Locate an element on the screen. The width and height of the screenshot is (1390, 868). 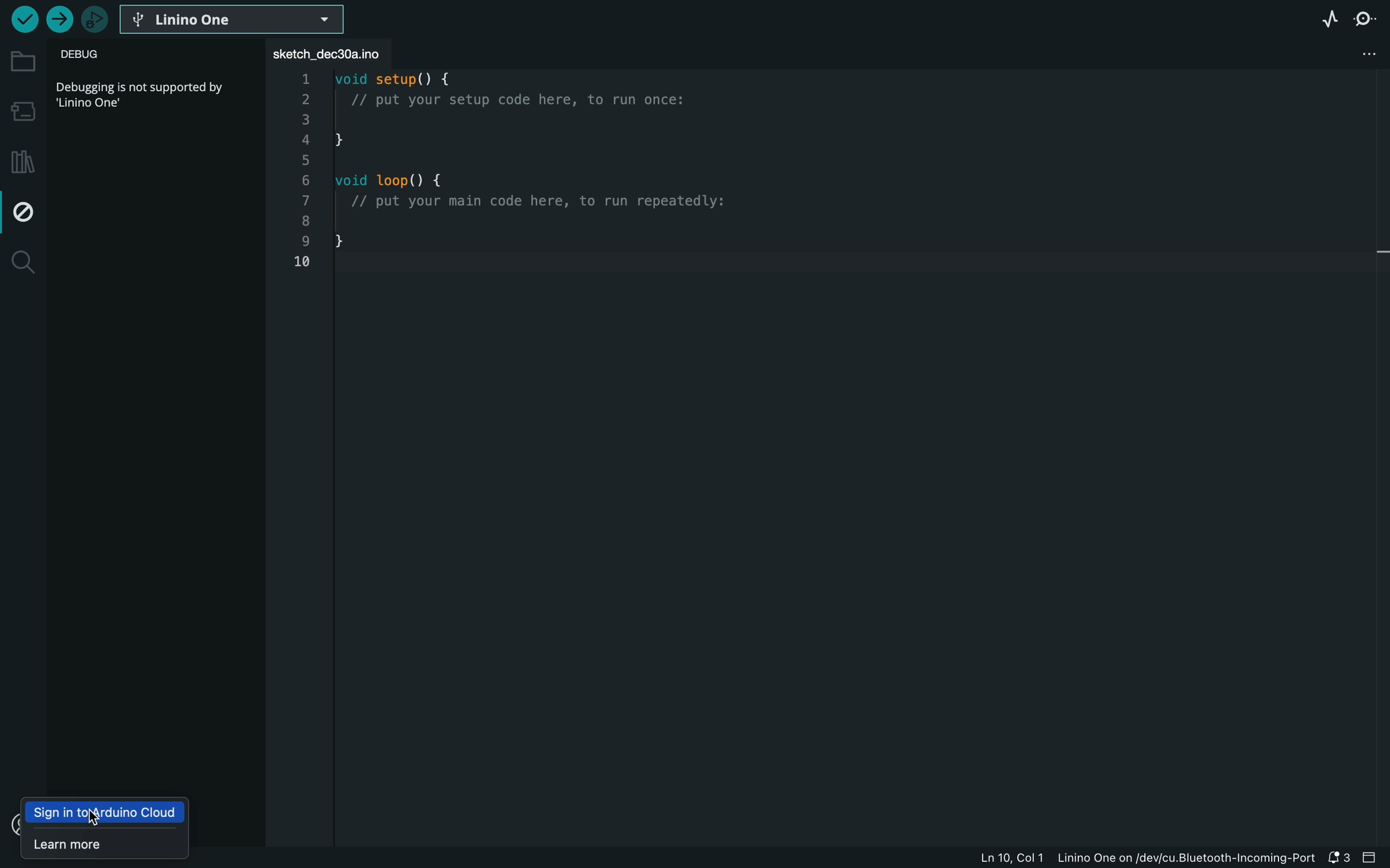
file tab is located at coordinates (330, 52).